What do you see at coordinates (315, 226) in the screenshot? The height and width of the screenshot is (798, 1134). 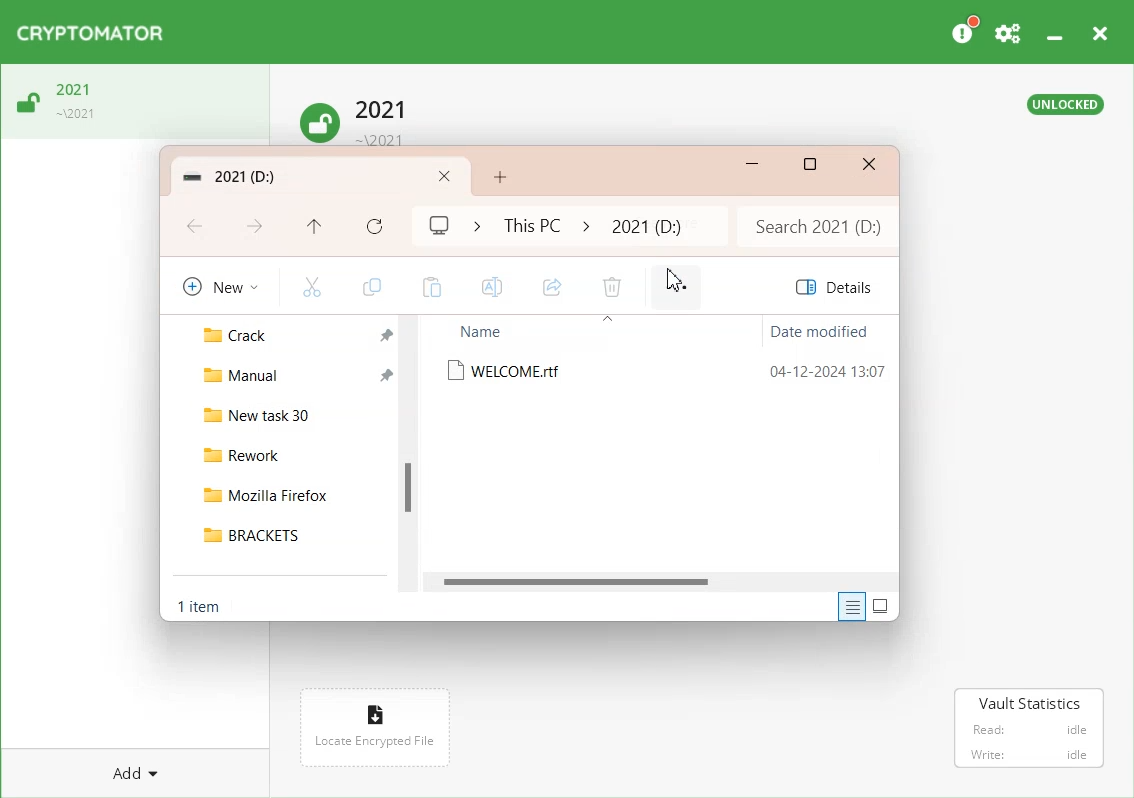 I see `Up to This PC` at bounding box center [315, 226].